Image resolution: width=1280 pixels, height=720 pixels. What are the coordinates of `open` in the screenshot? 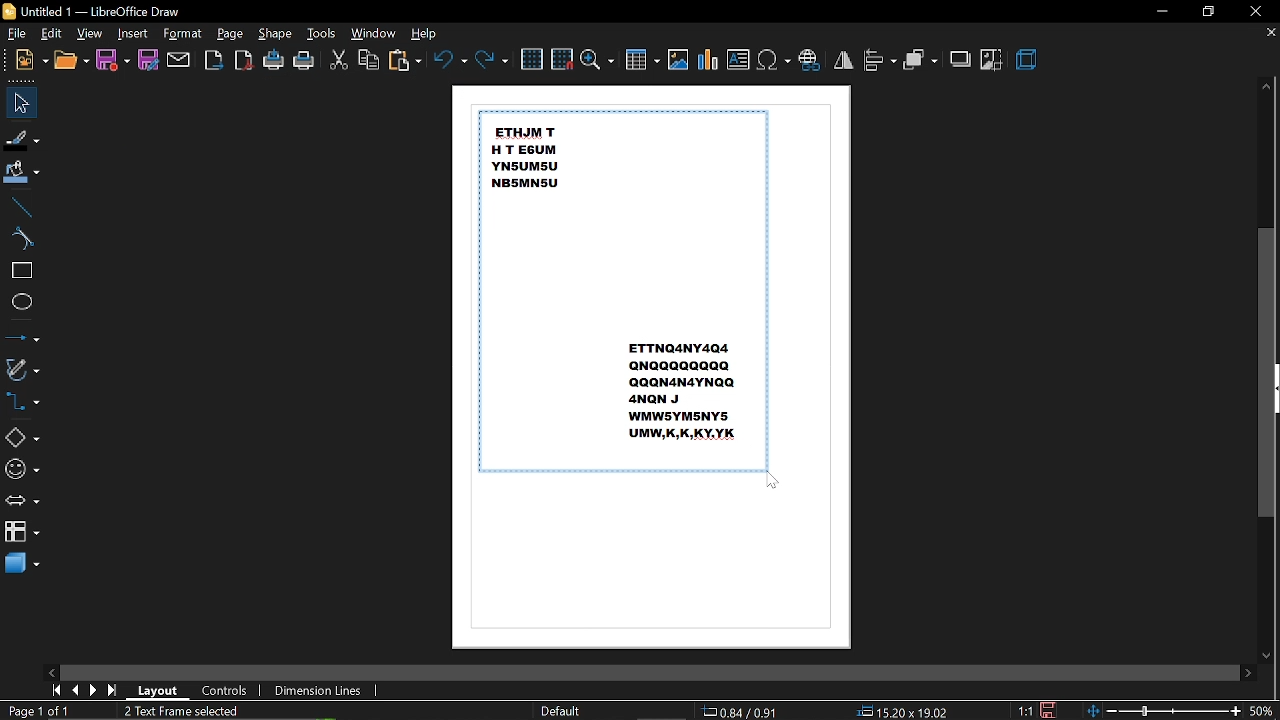 It's located at (71, 62).